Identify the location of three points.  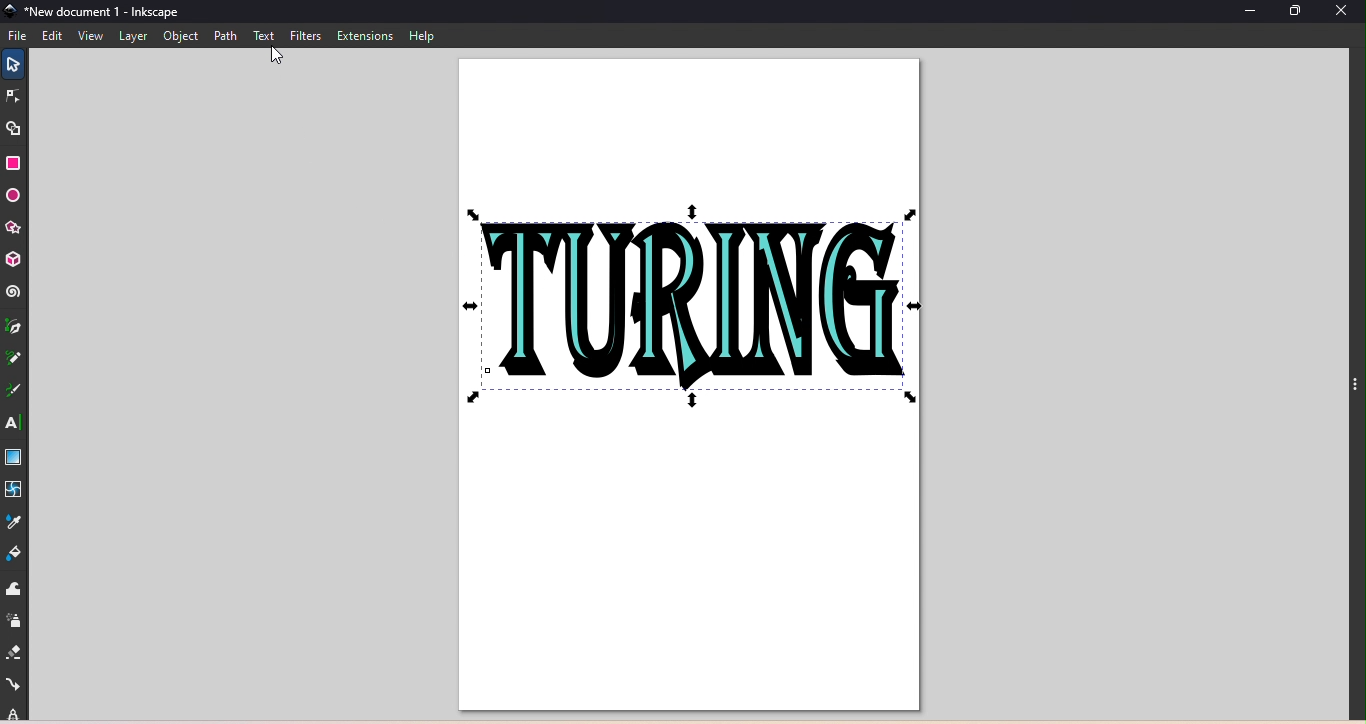
(1353, 391).